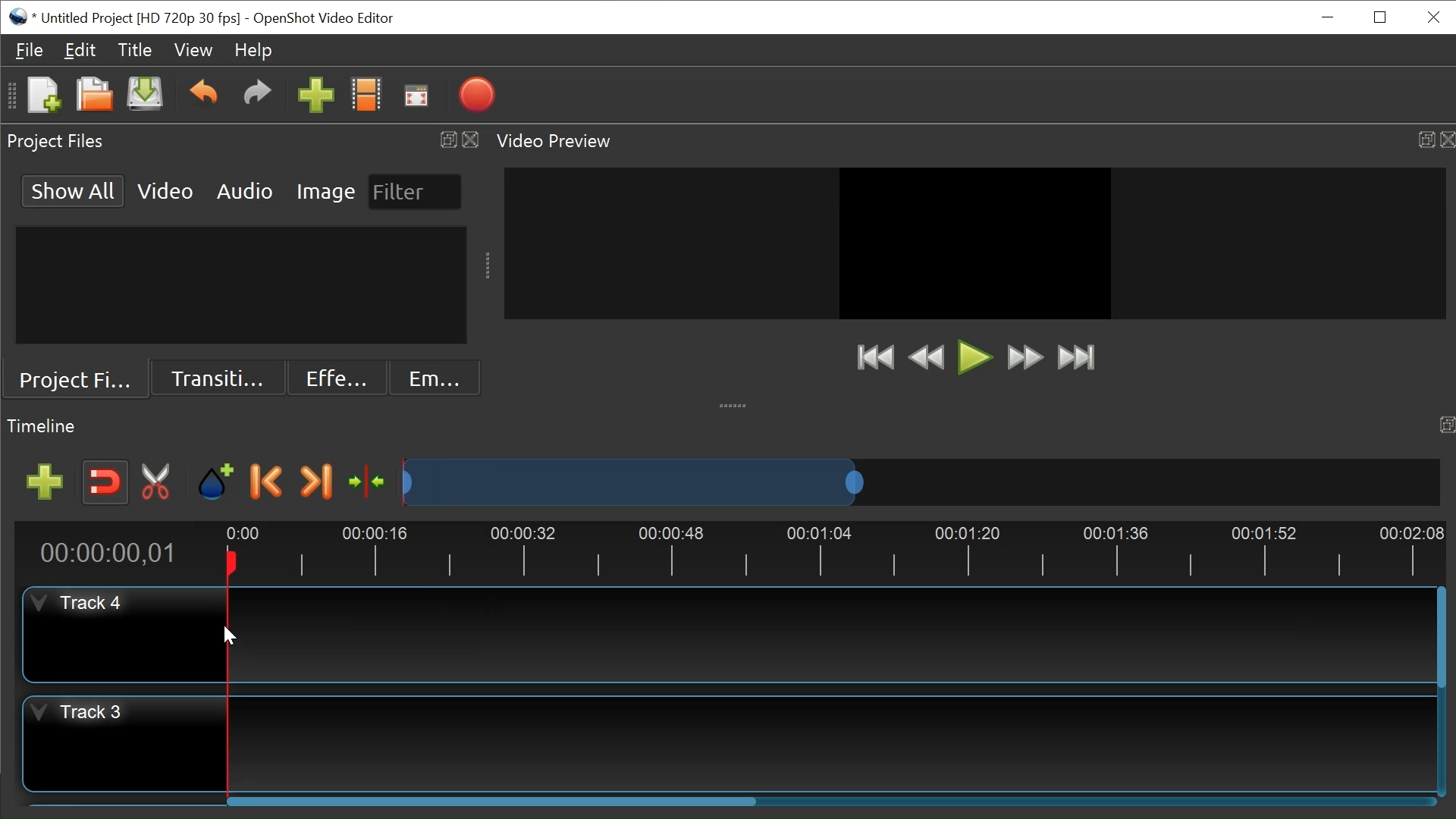  Describe the element at coordinates (327, 190) in the screenshot. I see `Image` at that location.